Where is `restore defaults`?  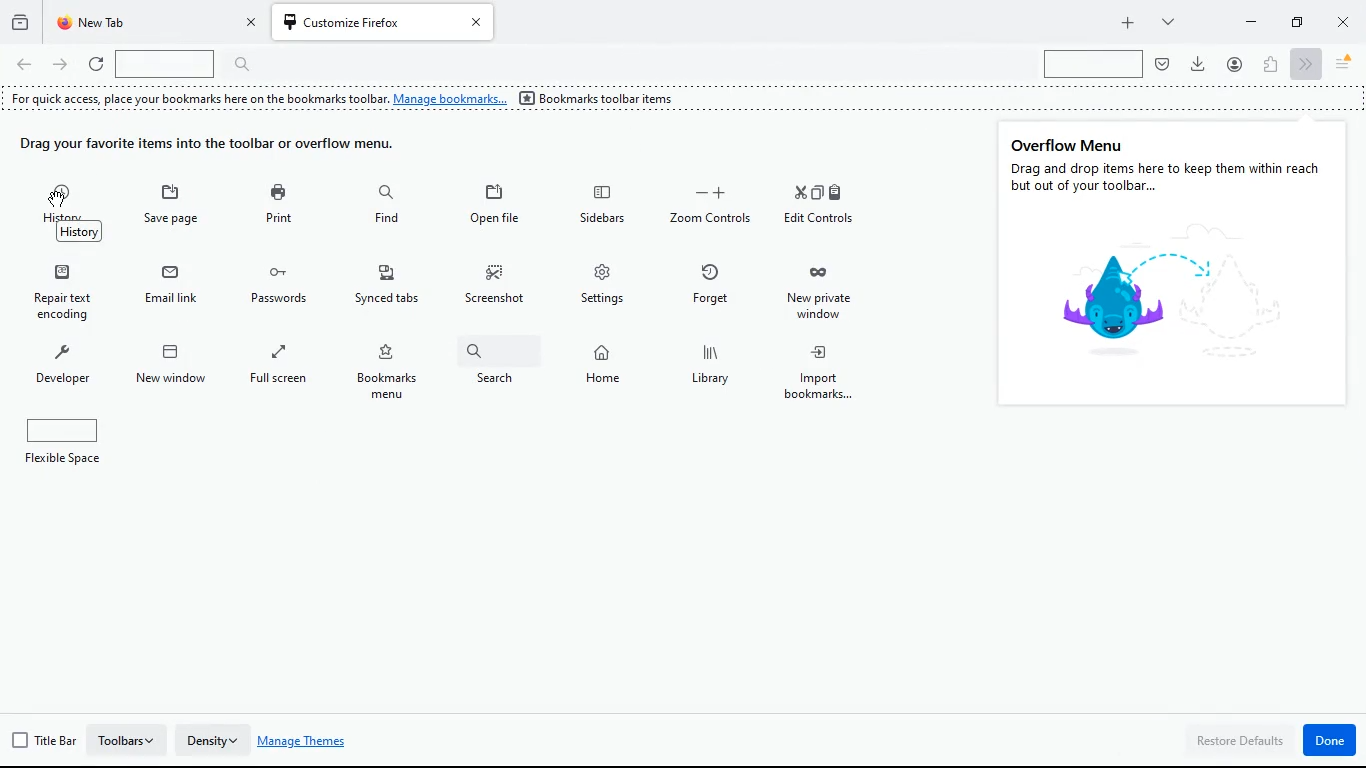
restore defaults is located at coordinates (1240, 742).